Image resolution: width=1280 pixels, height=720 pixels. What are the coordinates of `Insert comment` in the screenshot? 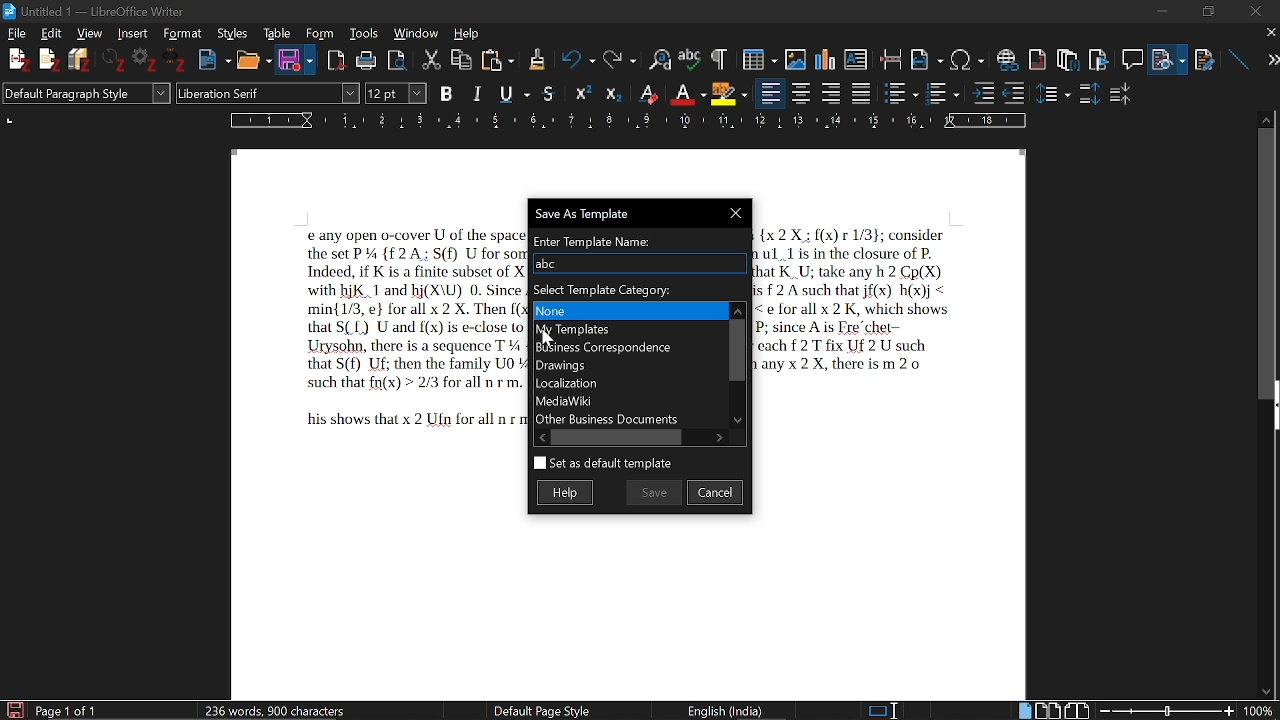 It's located at (1131, 55).